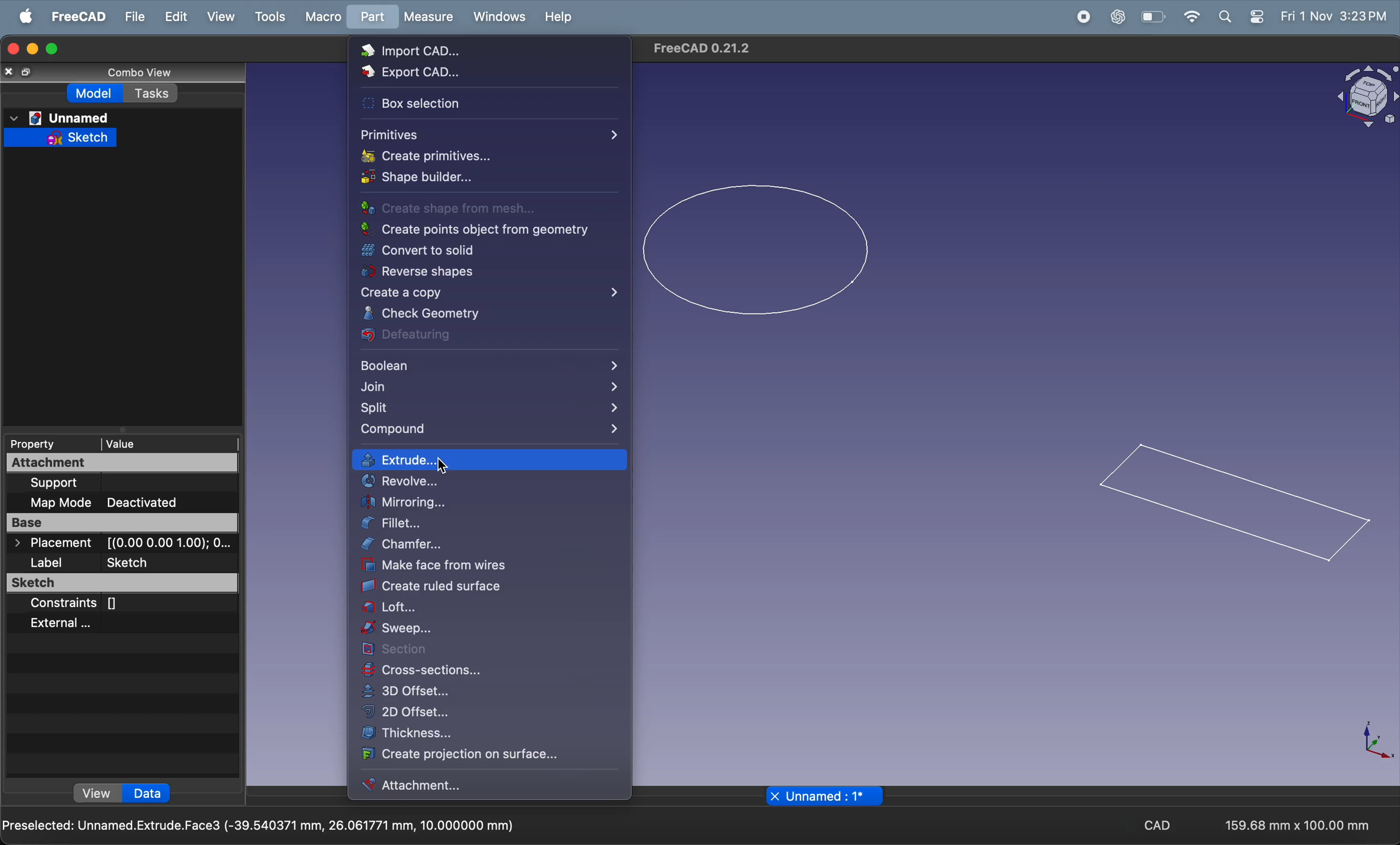 This screenshot has width=1400, height=845. What do you see at coordinates (120, 583) in the screenshot?
I see `Sketch` at bounding box center [120, 583].